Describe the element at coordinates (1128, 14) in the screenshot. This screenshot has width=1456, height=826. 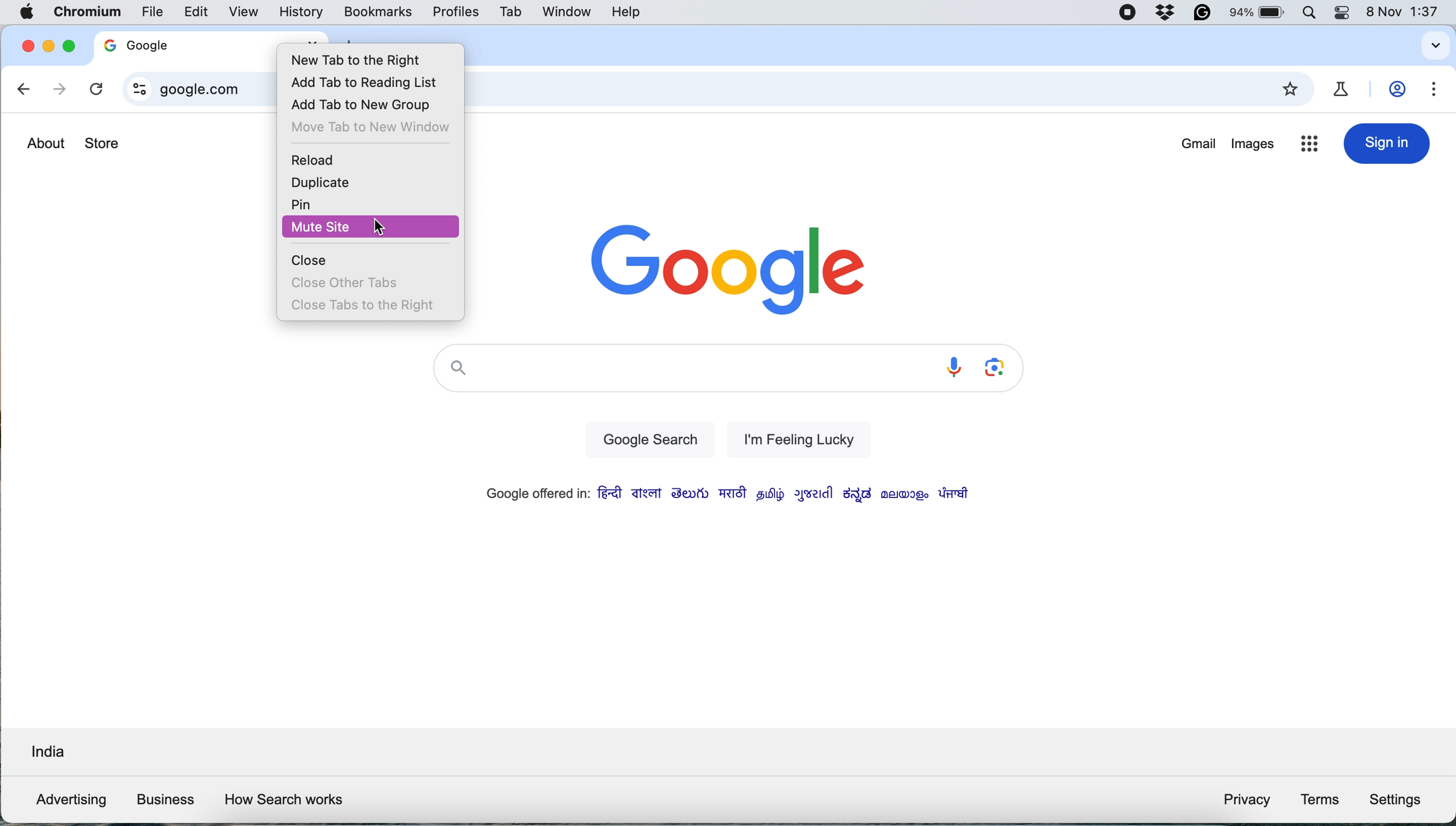
I see `screen recorder` at that location.